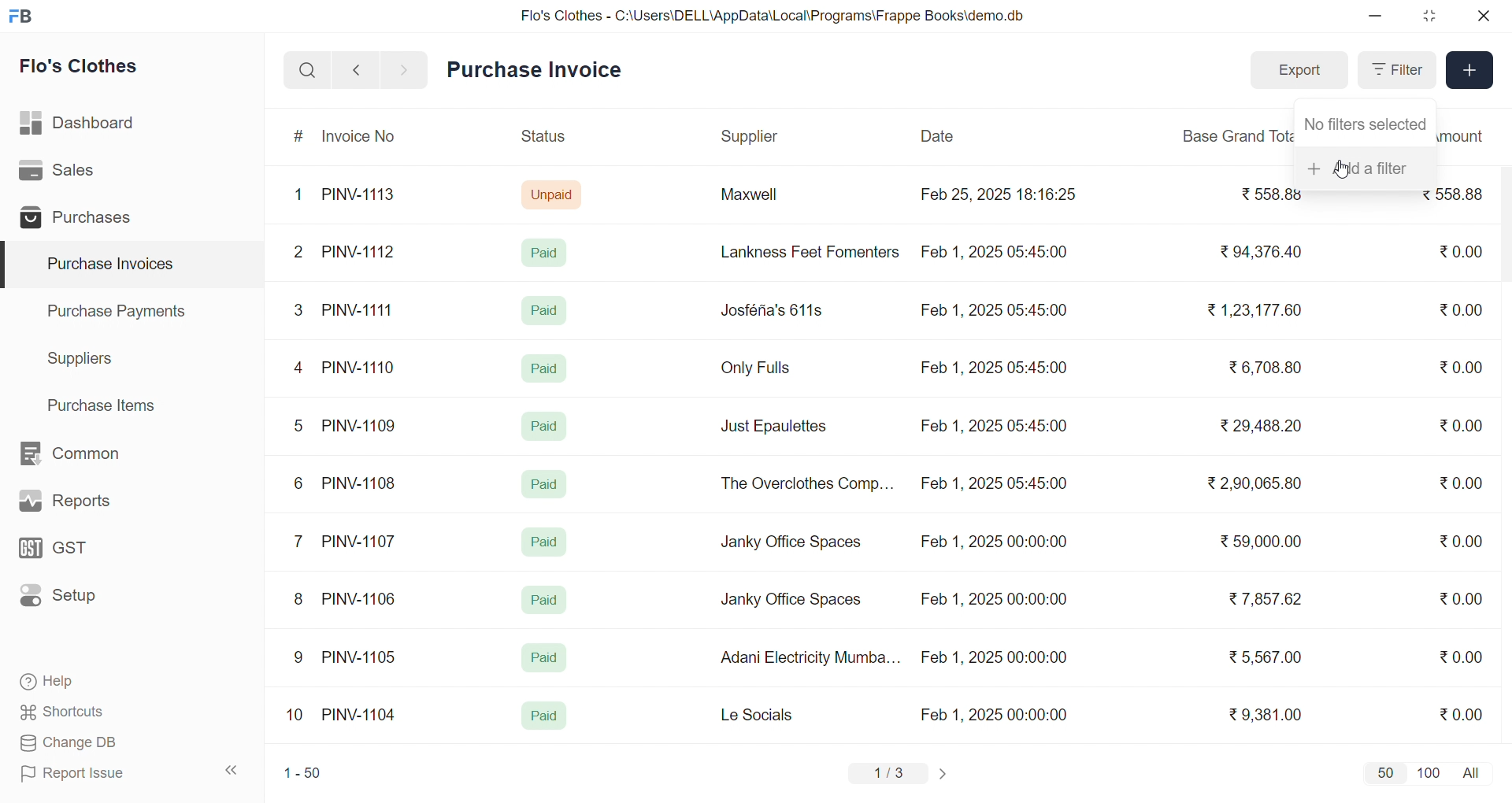  What do you see at coordinates (762, 372) in the screenshot?
I see `Only Fulls` at bounding box center [762, 372].